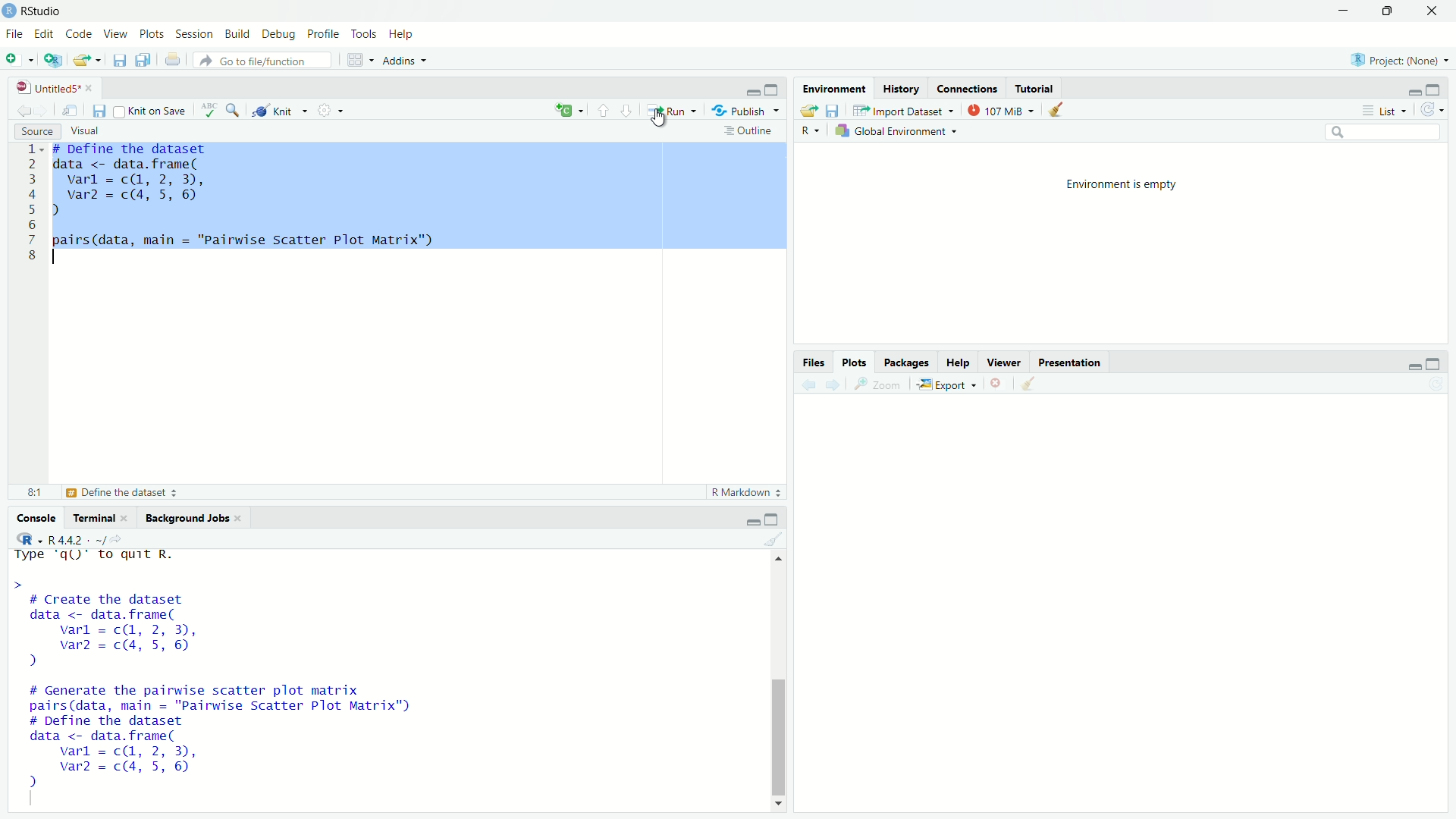  Describe the element at coordinates (36, 519) in the screenshot. I see `Console` at that location.